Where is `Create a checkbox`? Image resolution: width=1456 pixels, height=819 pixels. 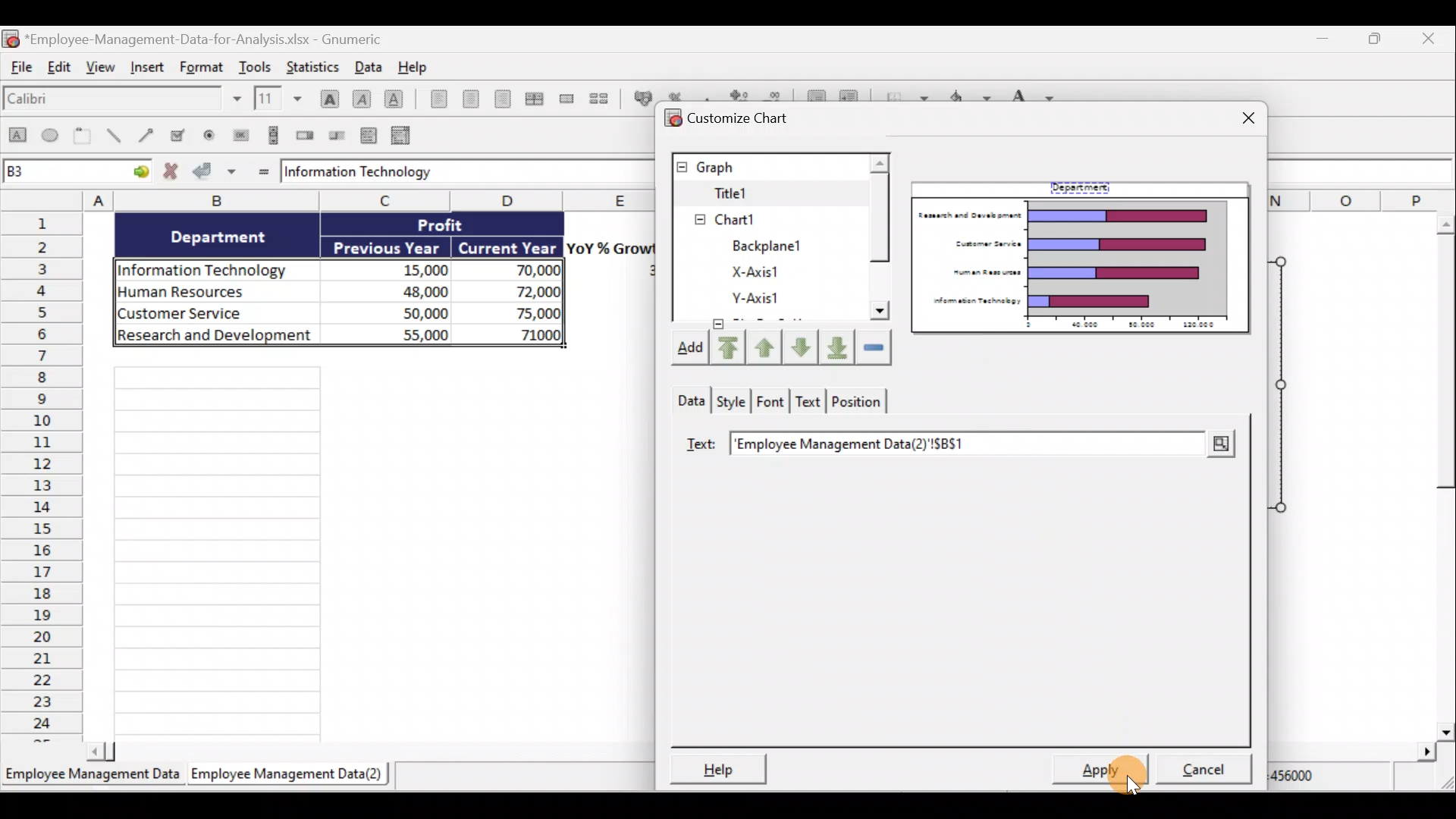
Create a checkbox is located at coordinates (180, 134).